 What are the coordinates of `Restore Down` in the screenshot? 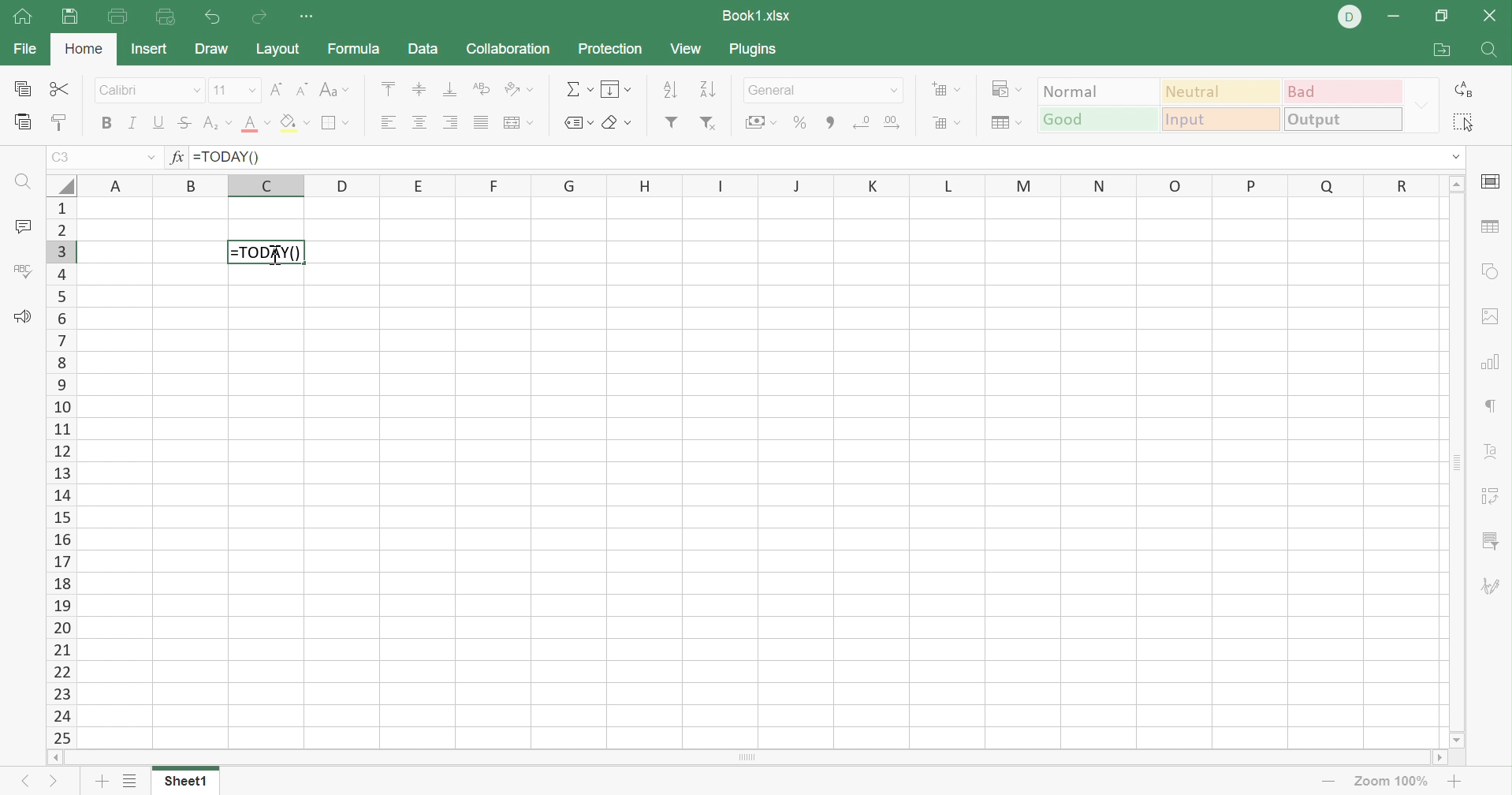 It's located at (1439, 17).